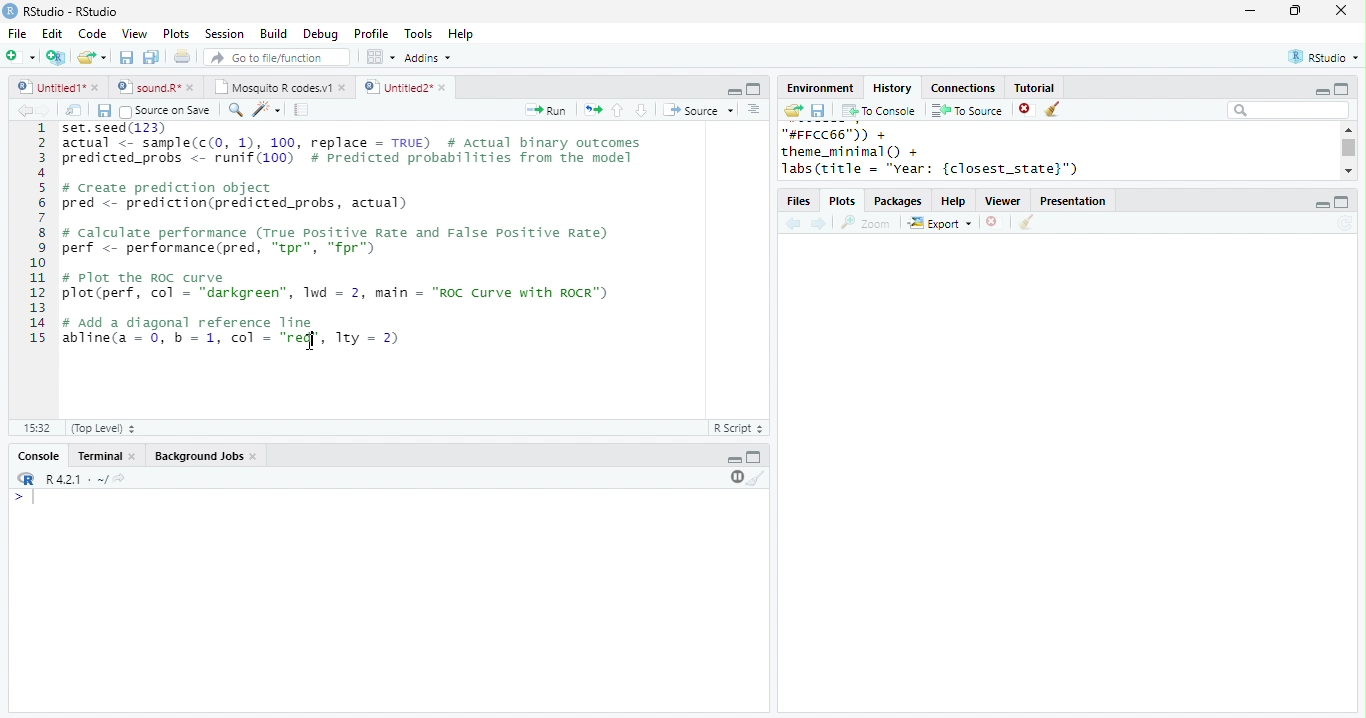 This screenshot has height=718, width=1366. What do you see at coordinates (818, 111) in the screenshot?
I see `save` at bounding box center [818, 111].